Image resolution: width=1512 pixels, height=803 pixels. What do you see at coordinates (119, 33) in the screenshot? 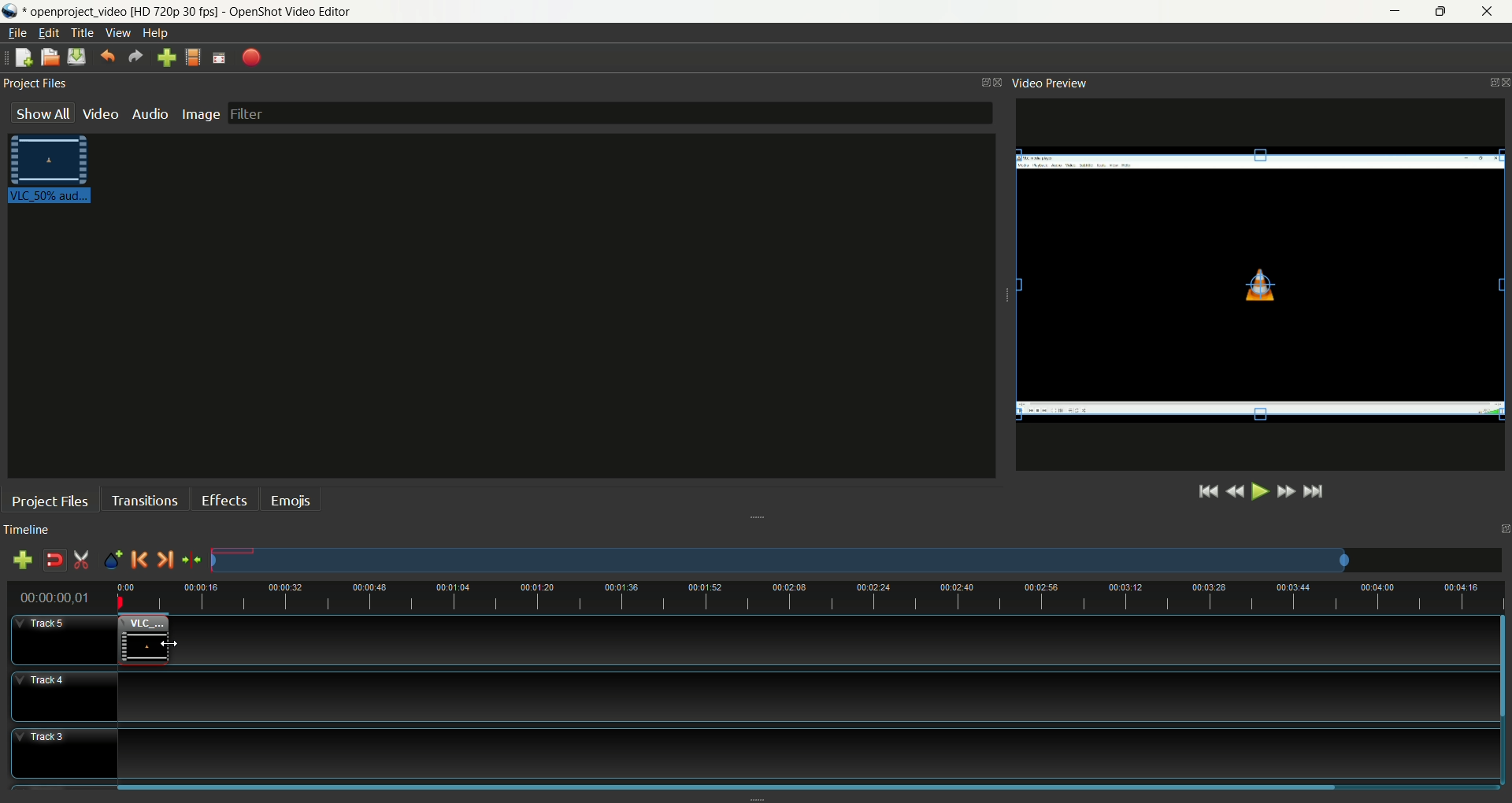
I see `view` at bounding box center [119, 33].